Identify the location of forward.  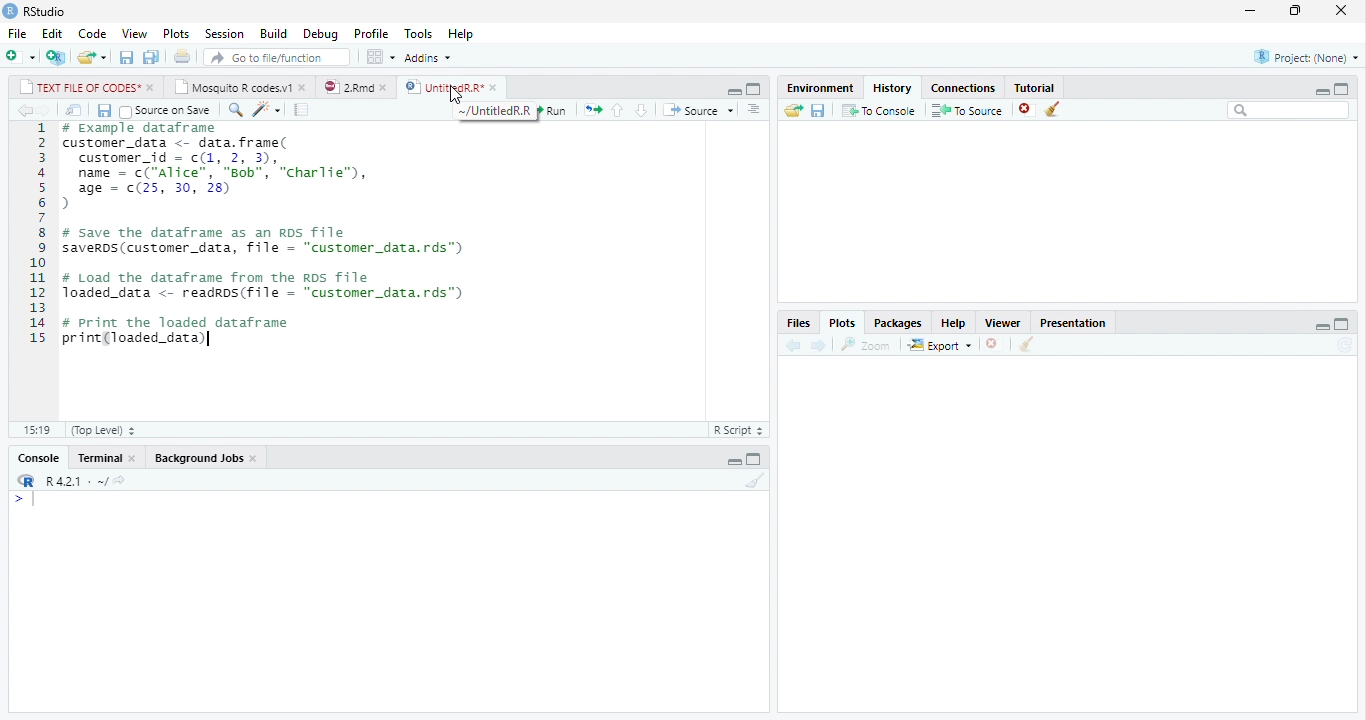
(46, 111).